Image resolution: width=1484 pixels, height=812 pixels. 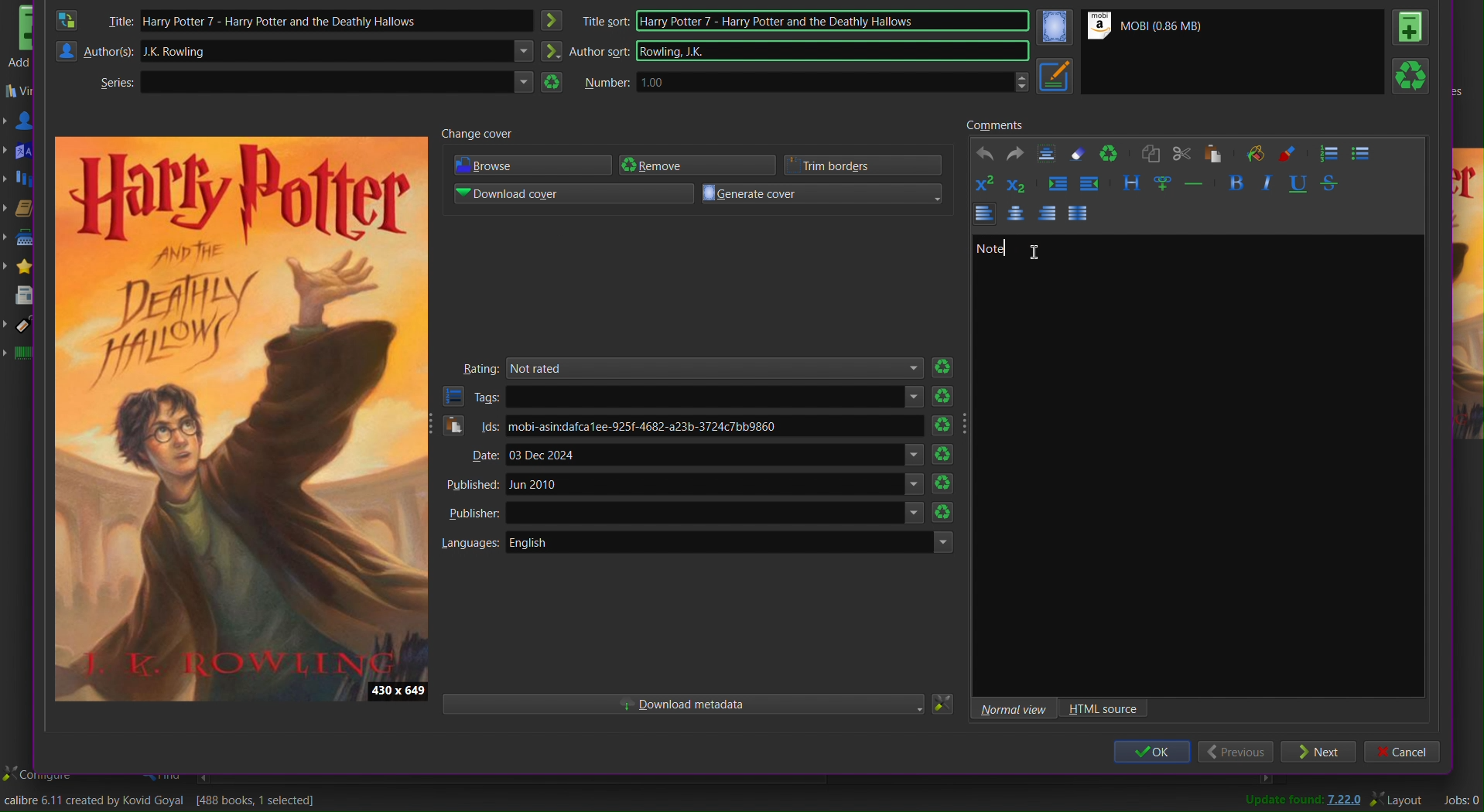 What do you see at coordinates (1412, 26) in the screenshot?
I see `Book` at bounding box center [1412, 26].